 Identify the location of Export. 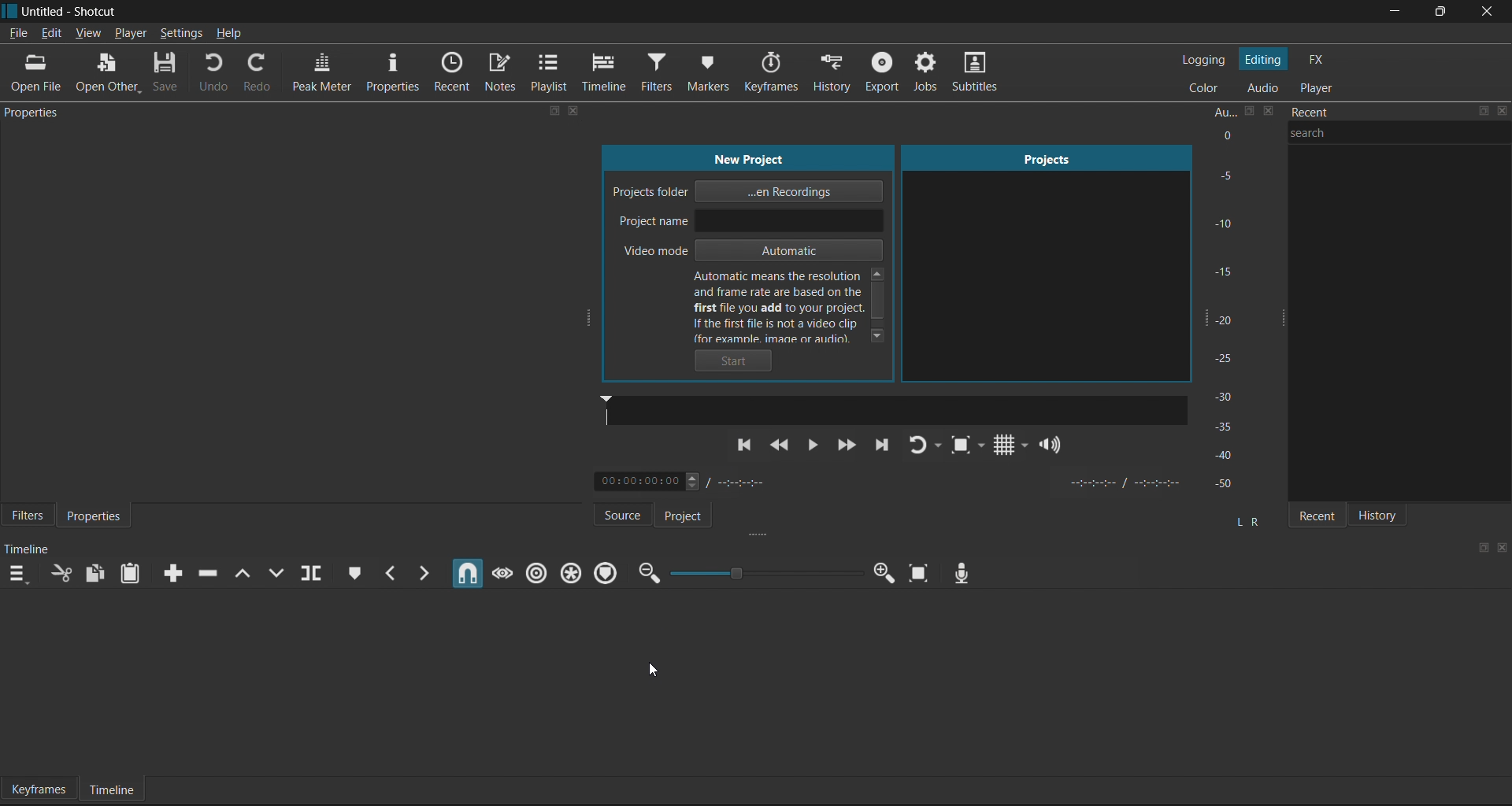
(884, 75).